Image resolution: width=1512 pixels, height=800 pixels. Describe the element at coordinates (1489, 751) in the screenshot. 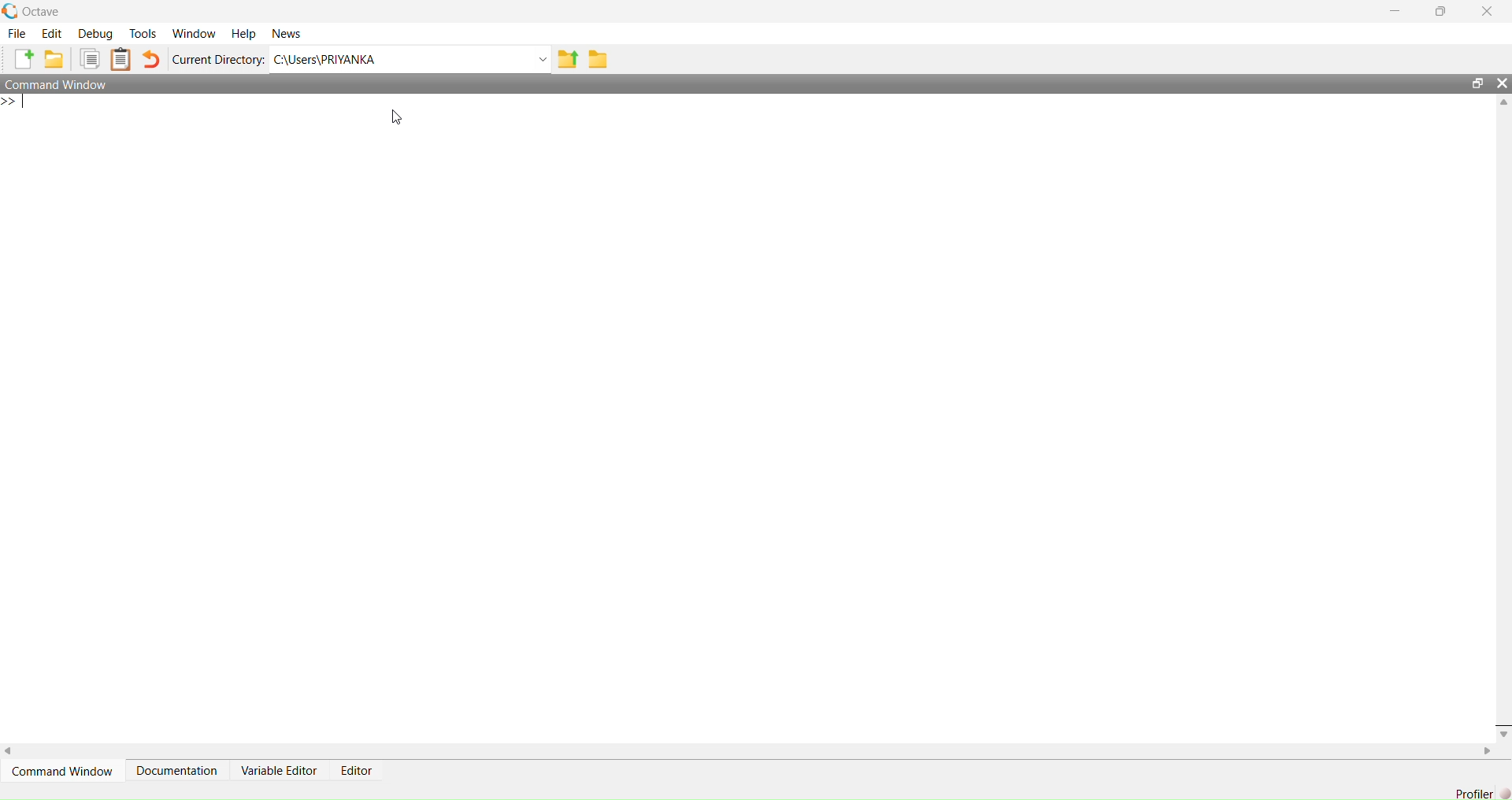

I see `Right` at that location.